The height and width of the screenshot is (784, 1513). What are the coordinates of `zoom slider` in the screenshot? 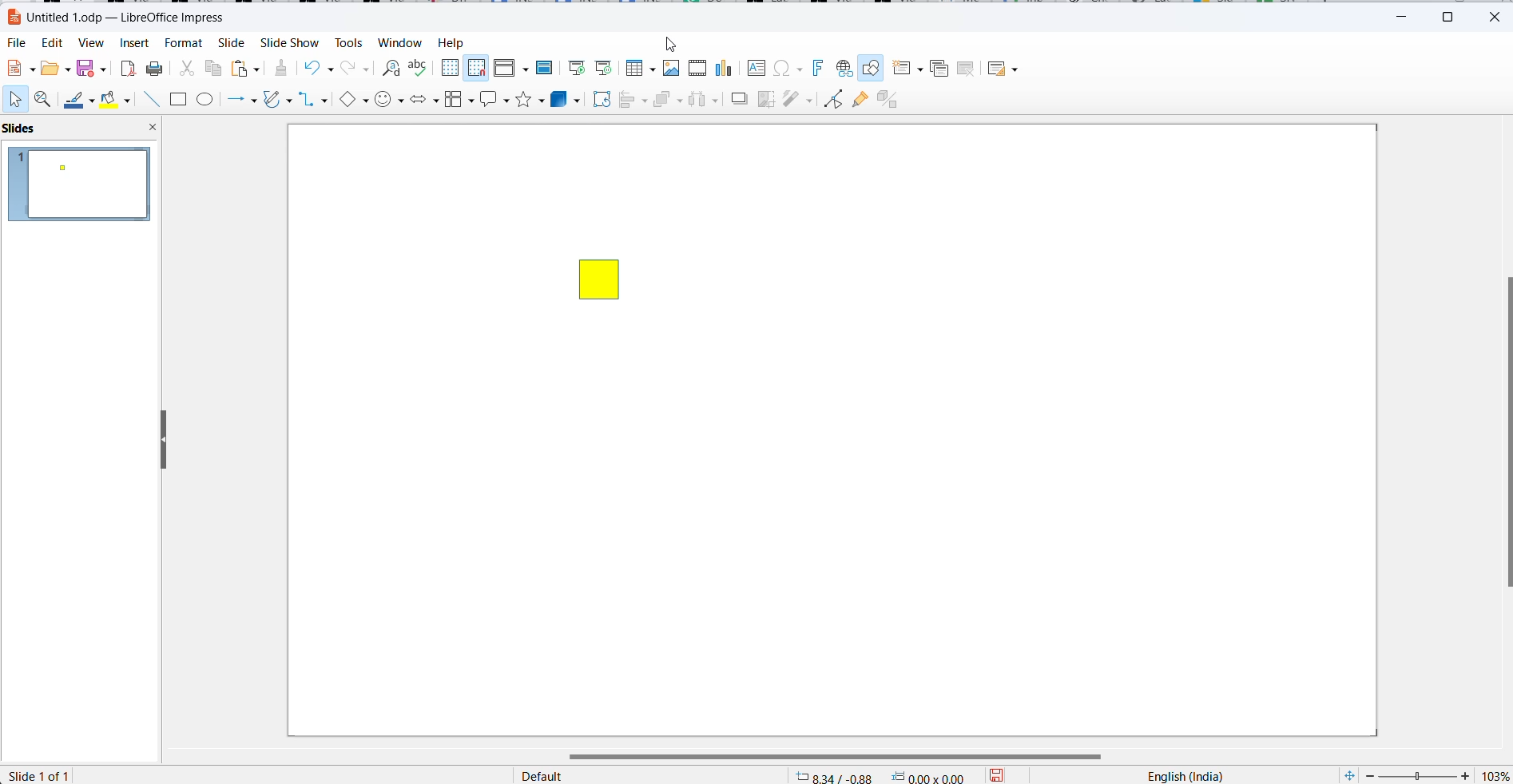 It's located at (1417, 775).